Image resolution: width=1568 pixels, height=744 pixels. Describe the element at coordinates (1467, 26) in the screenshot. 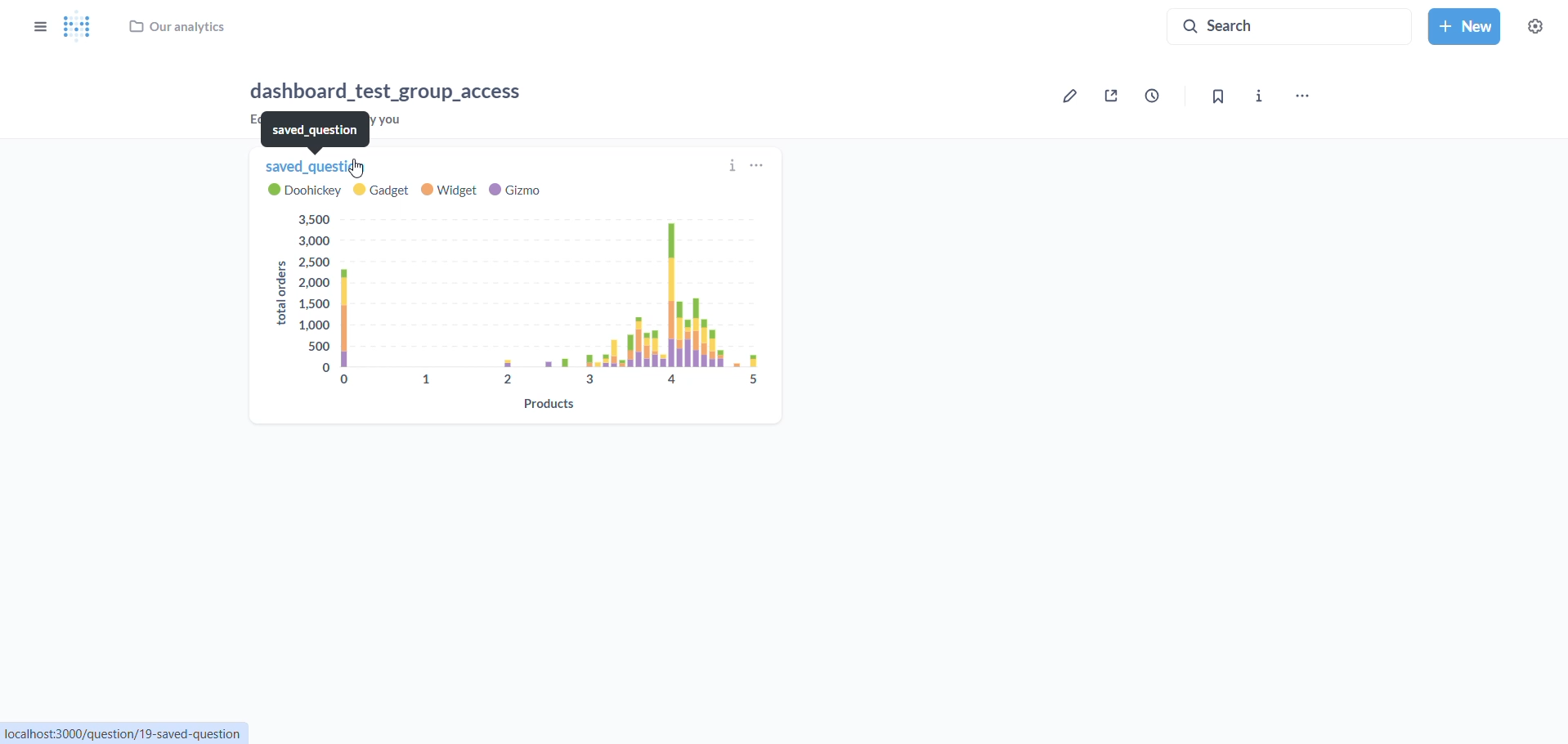

I see `new` at that location.